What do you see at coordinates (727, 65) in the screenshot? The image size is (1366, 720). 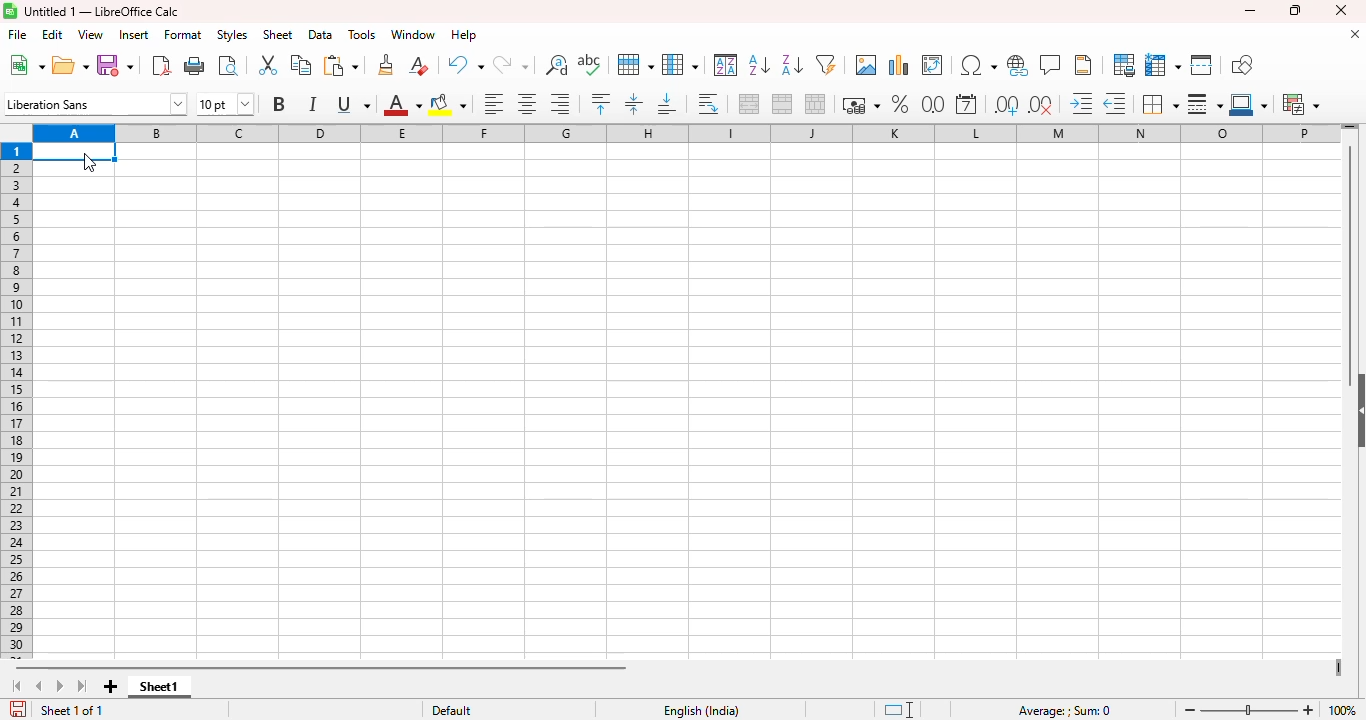 I see `sort` at bounding box center [727, 65].